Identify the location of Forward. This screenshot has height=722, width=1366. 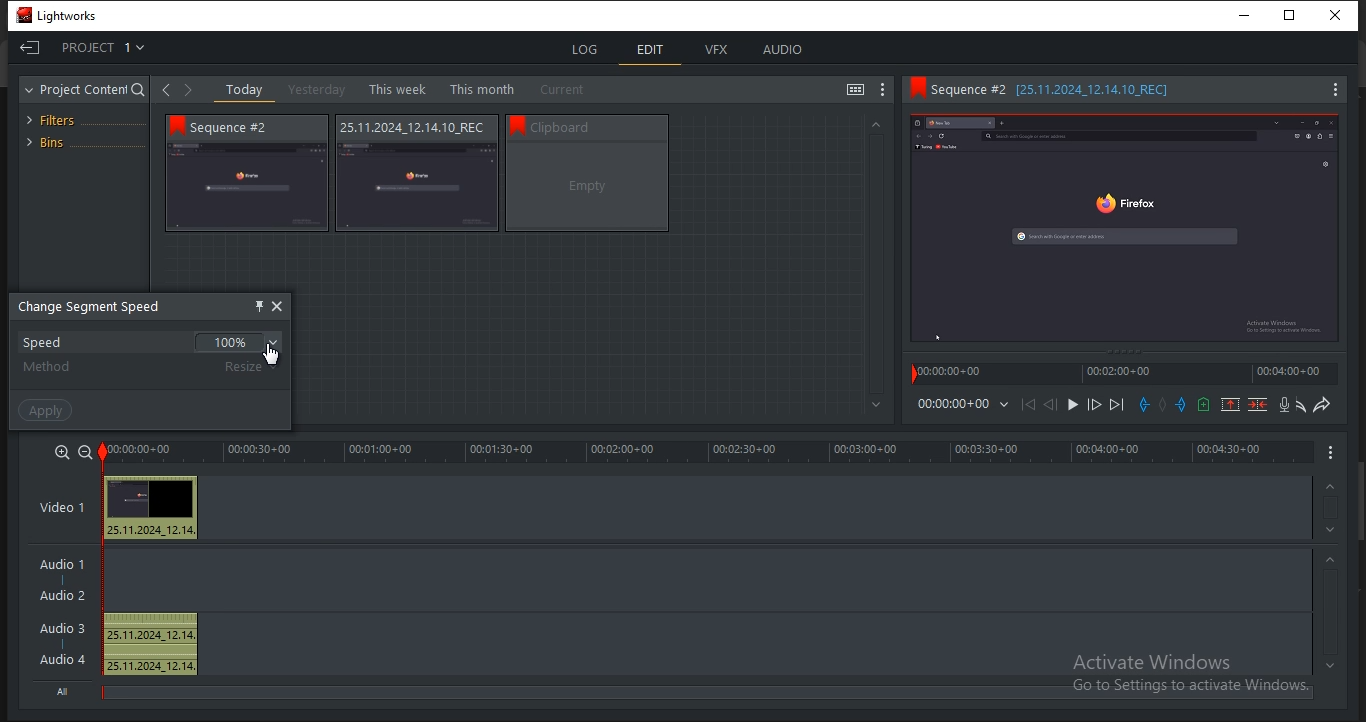
(186, 93).